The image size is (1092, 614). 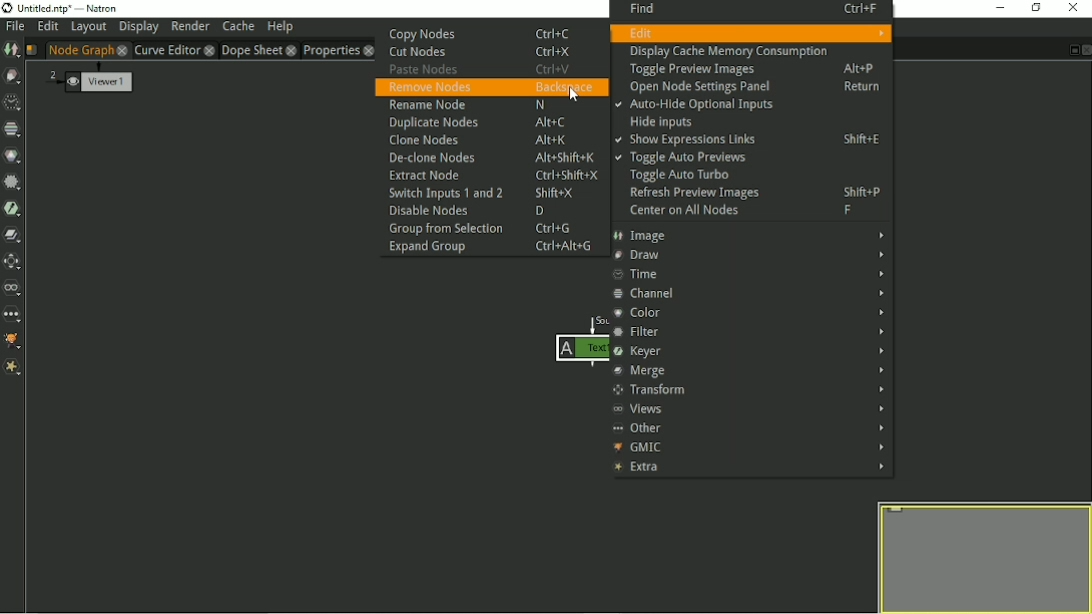 I want to click on Display Cache Memory Consumption, so click(x=727, y=52).